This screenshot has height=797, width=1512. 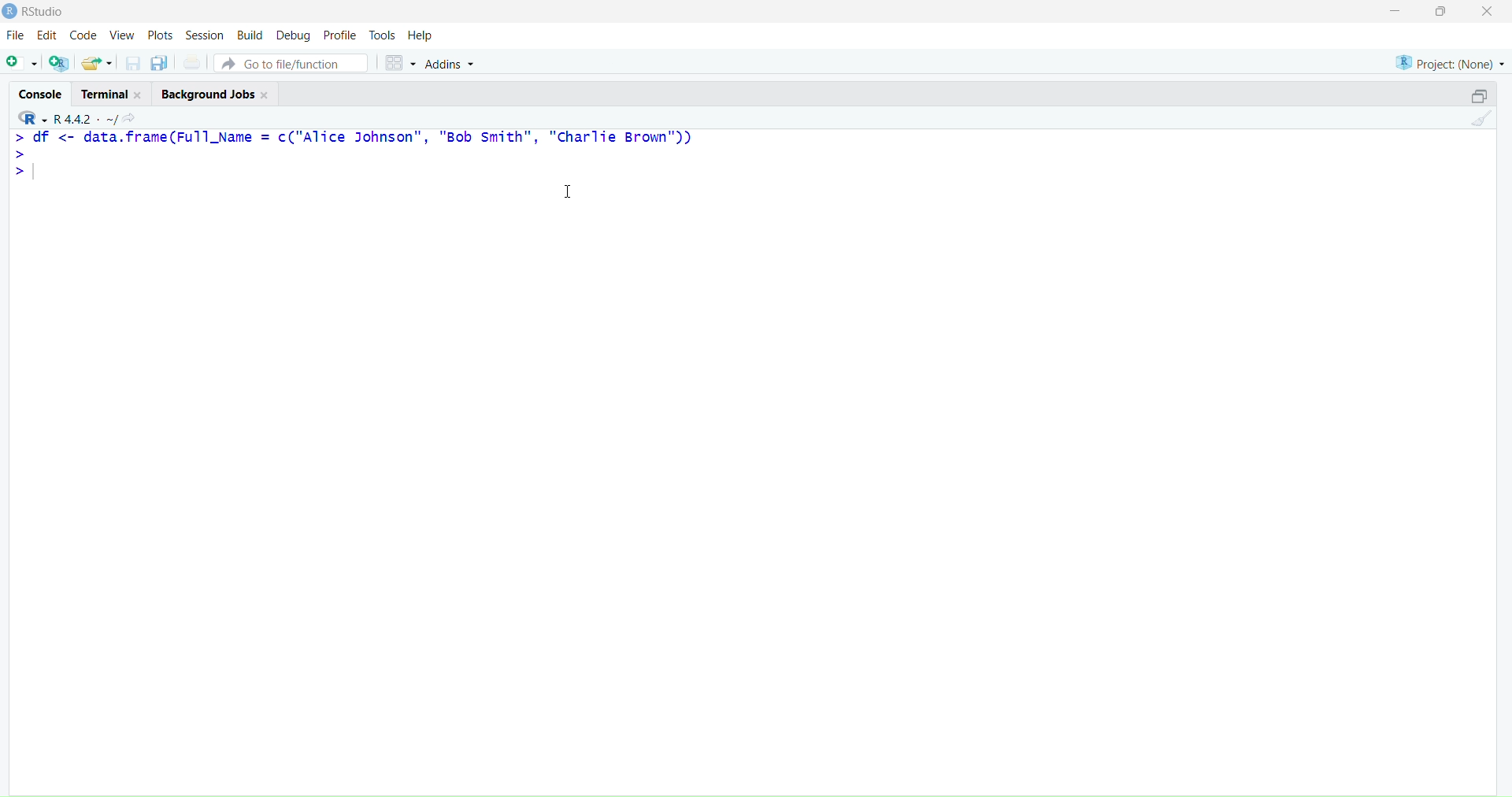 I want to click on Minimize, so click(x=1396, y=14).